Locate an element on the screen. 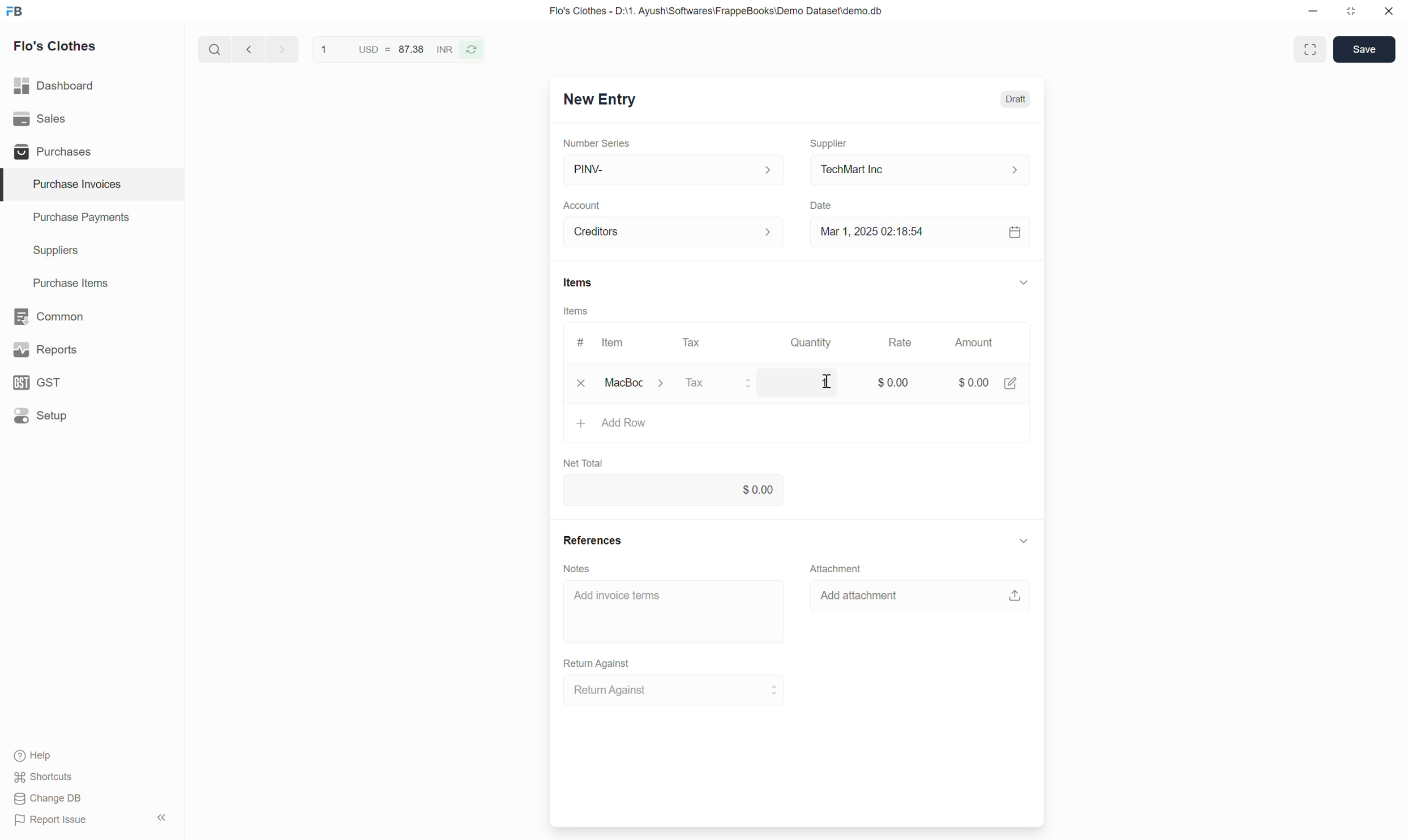 Image resolution: width=1408 pixels, height=840 pixels. Draft is located at coordinates (1016, 100).